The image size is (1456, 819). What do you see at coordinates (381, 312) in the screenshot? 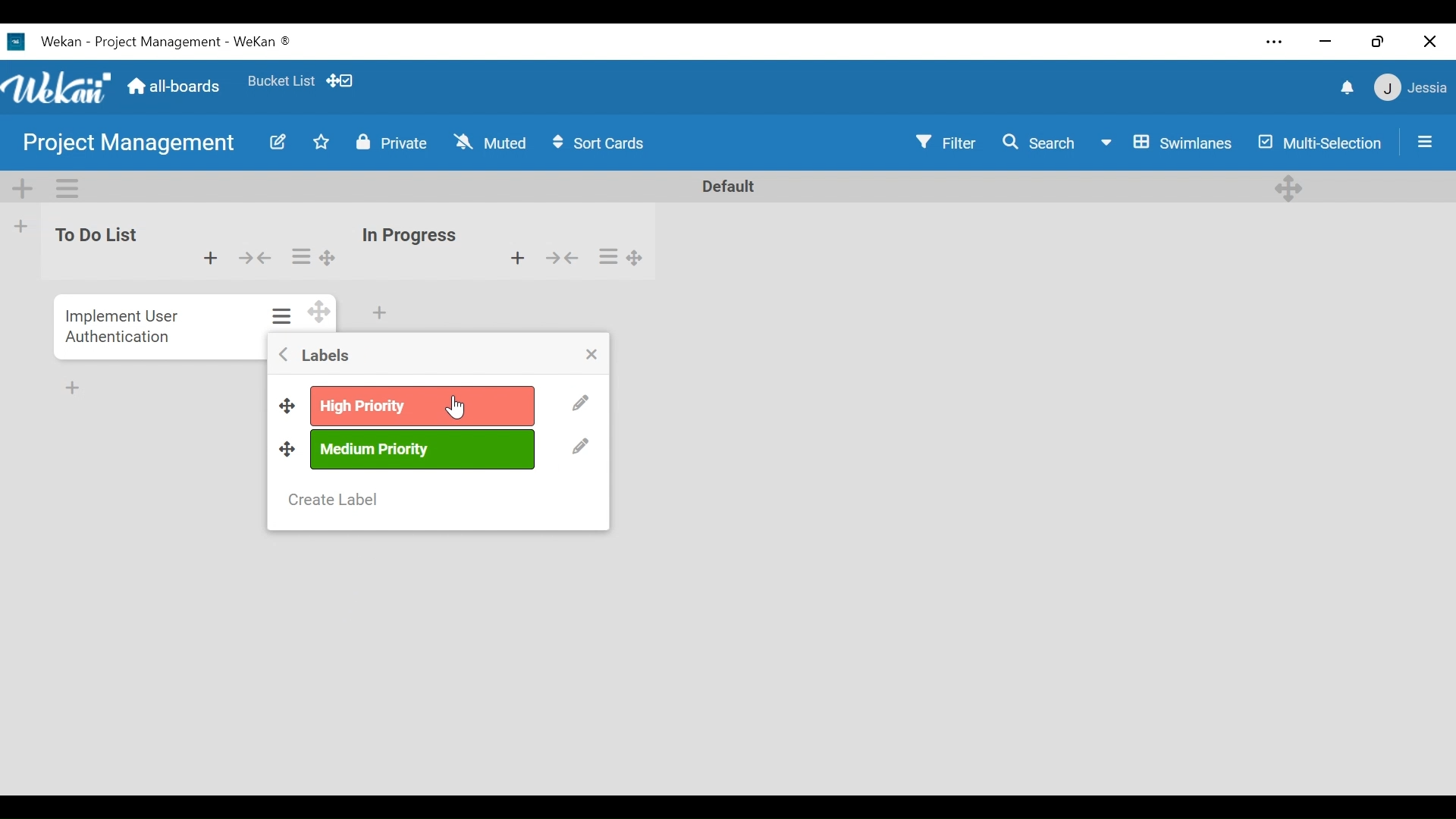
I see `add card to the bottom of the list` at bounding box center [381, 312].